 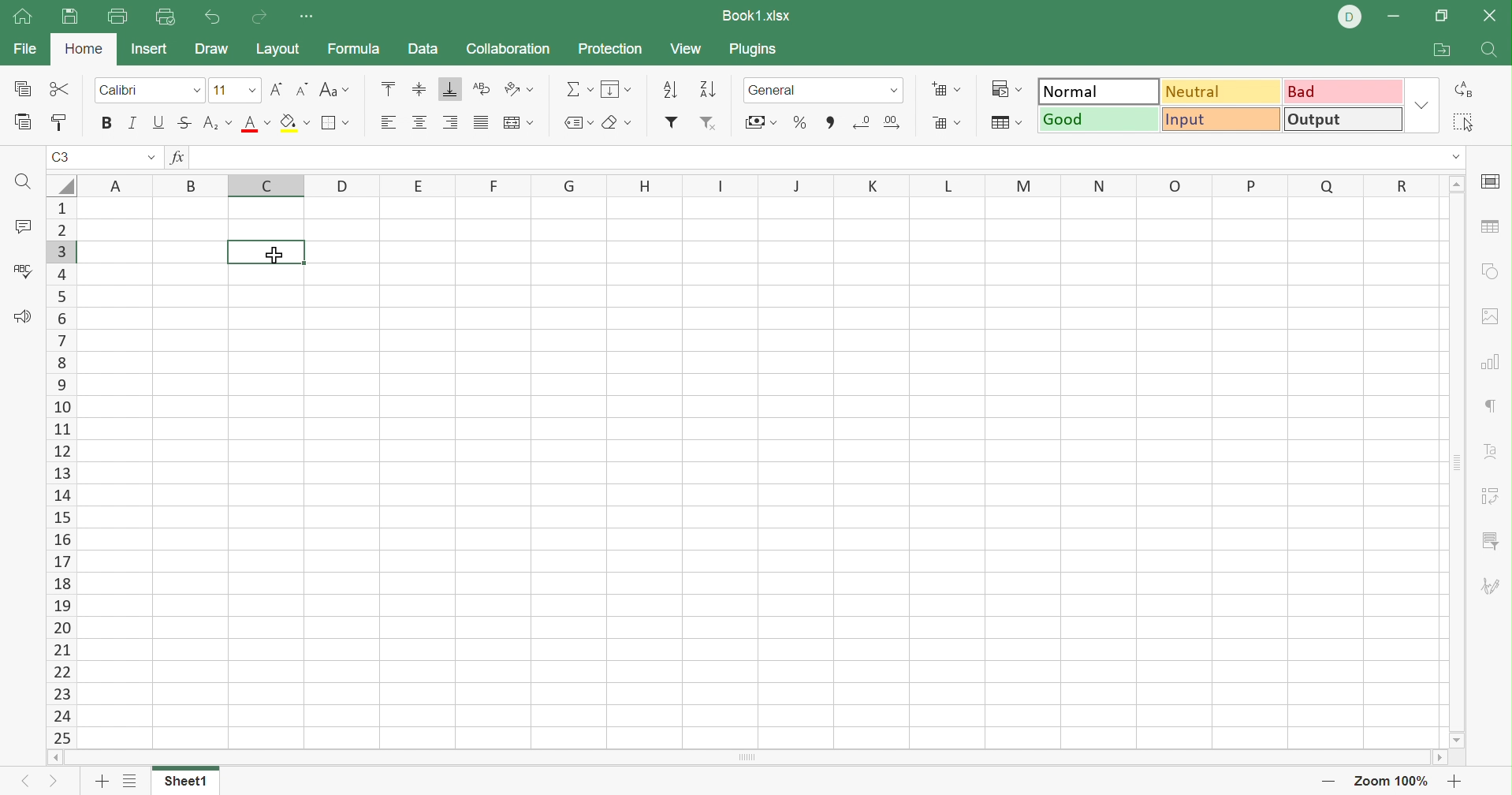 What do you see at coordinates (218, 90) in the screenshot?
I see `11` at bounding box center [218, 90].